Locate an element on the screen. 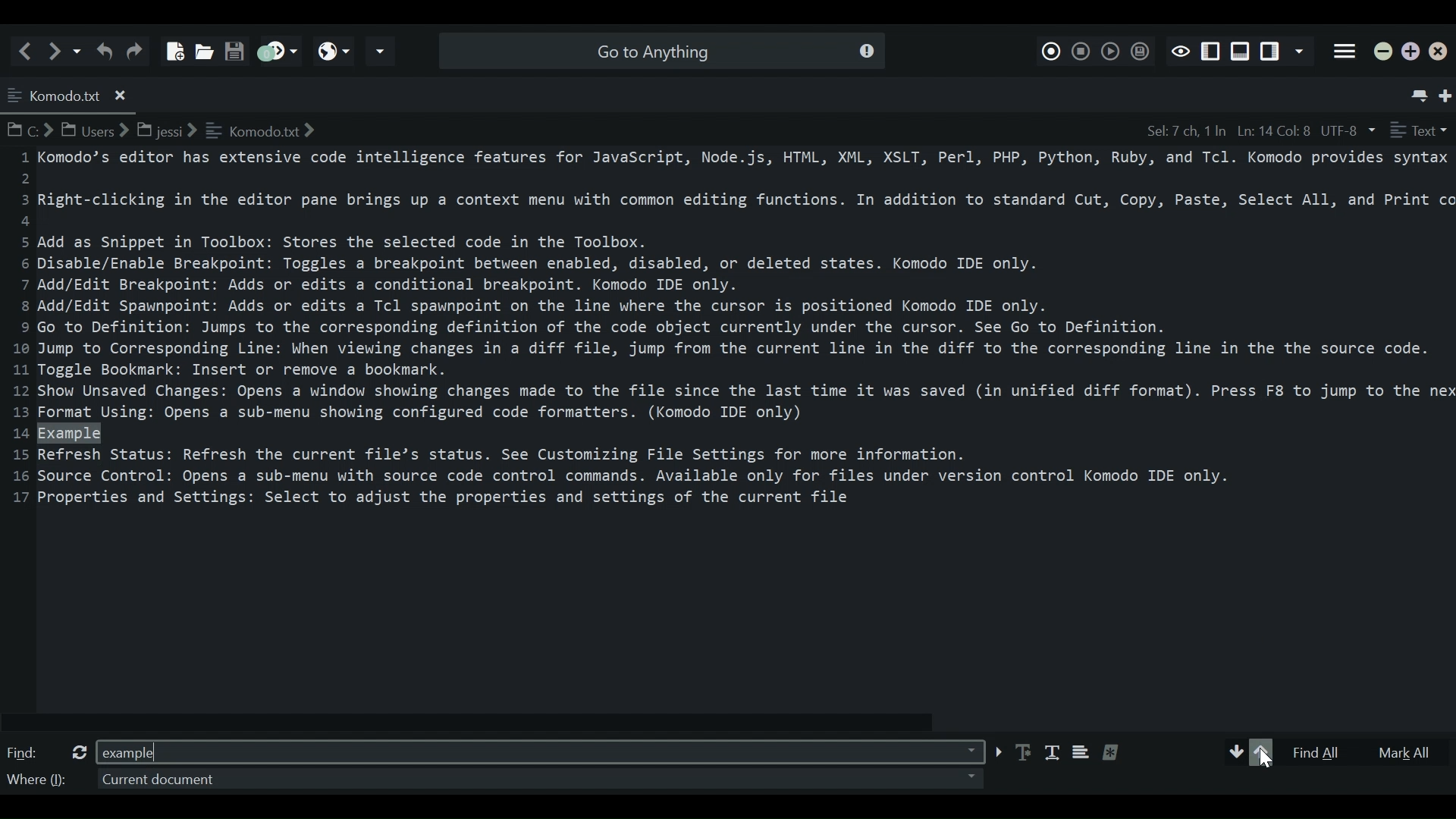 This screenshot has height=819, width=1456. Search is located at coordinates (659, 50).